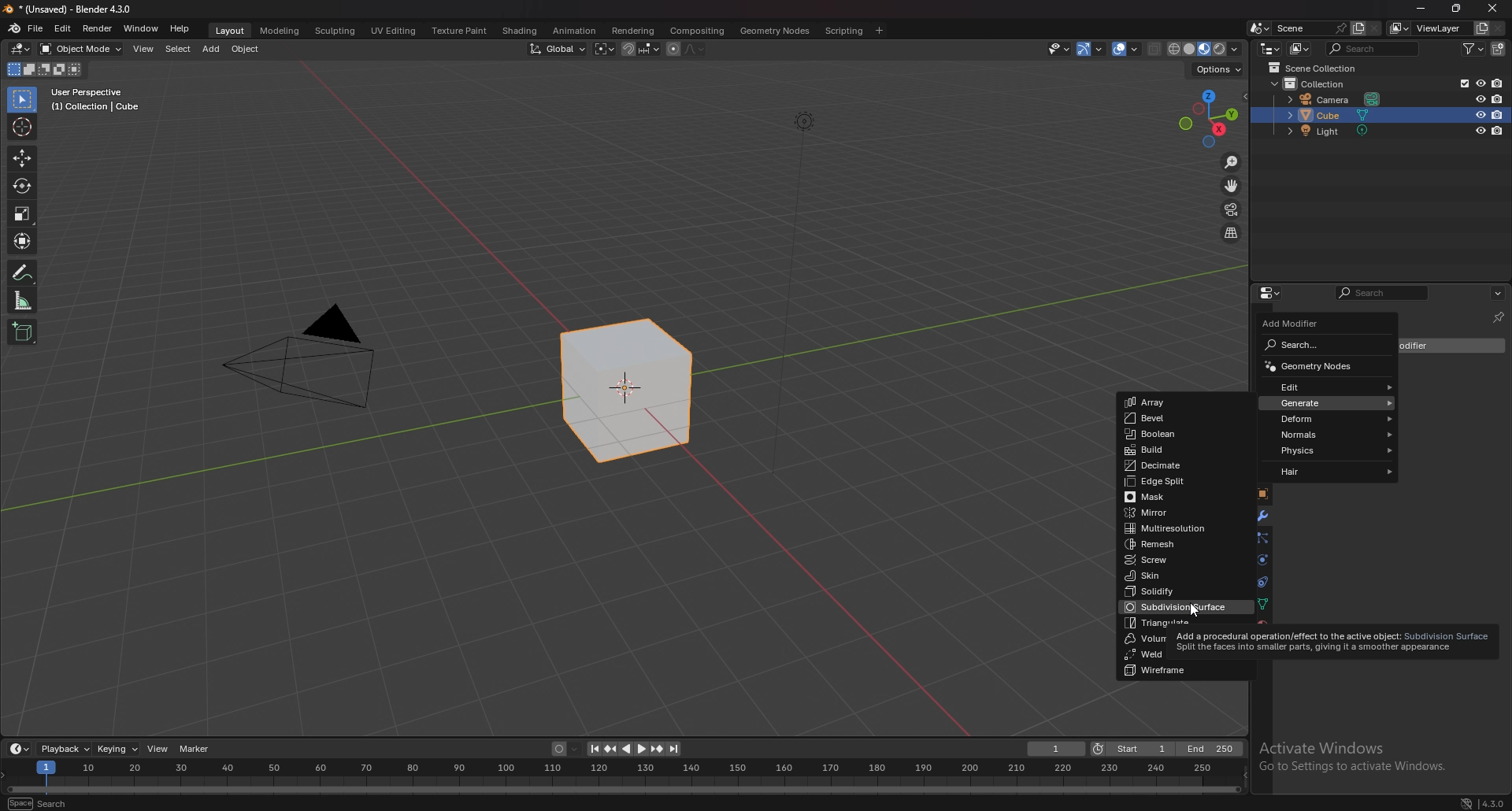  I want to click on modes, so click(44, 69).